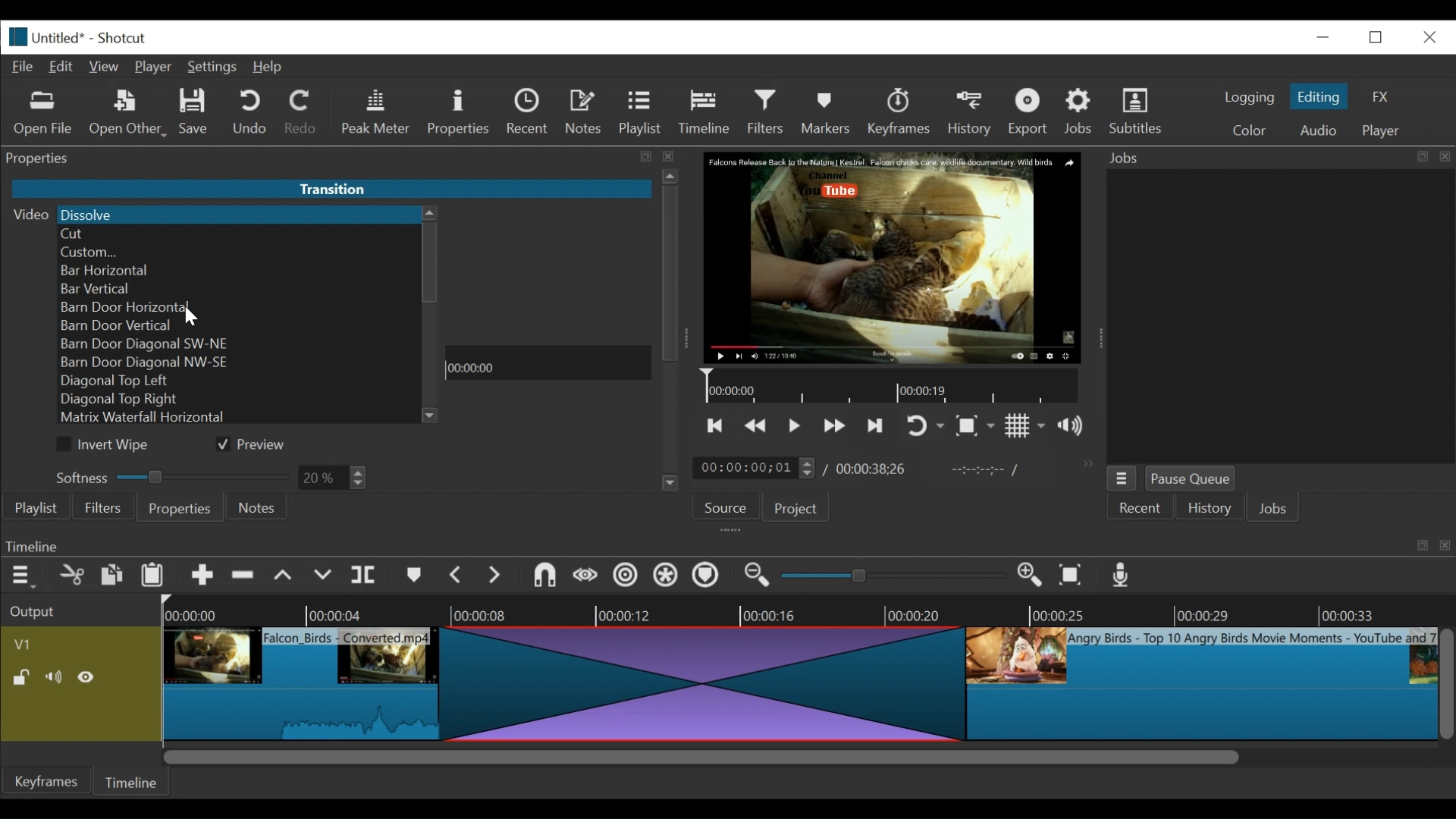 This screenshot has height=819, width=1456. Describe the element at coordinates (900, 114) in the screenshot. I see `keyframes` at that location.